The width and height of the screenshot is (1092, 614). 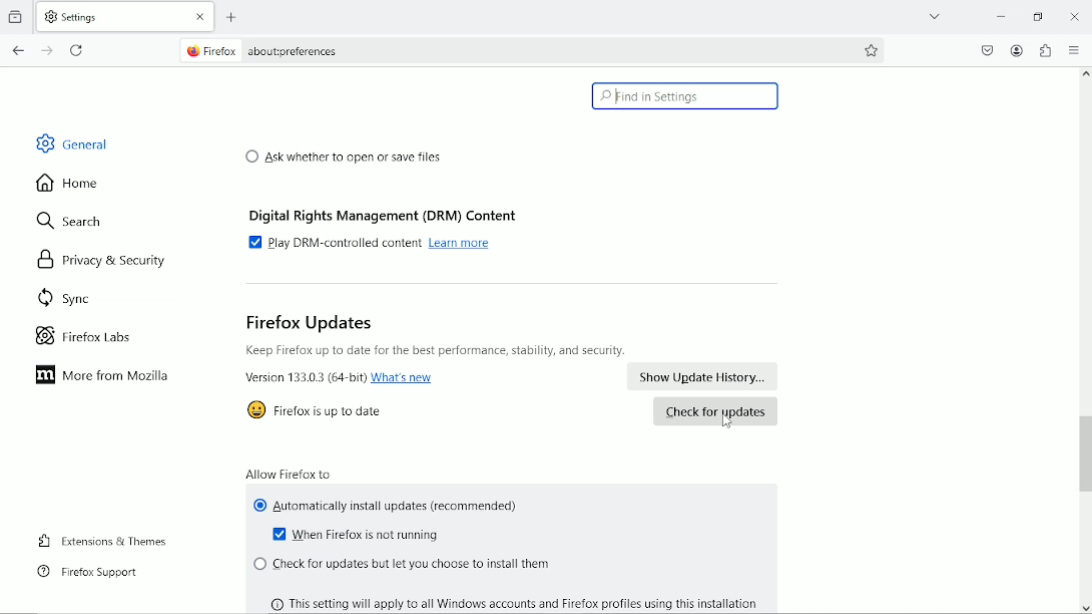 What do you see at coordinates (715, 412) in the screenshot?
I see `check for updates` at bounding box center [715, 412].